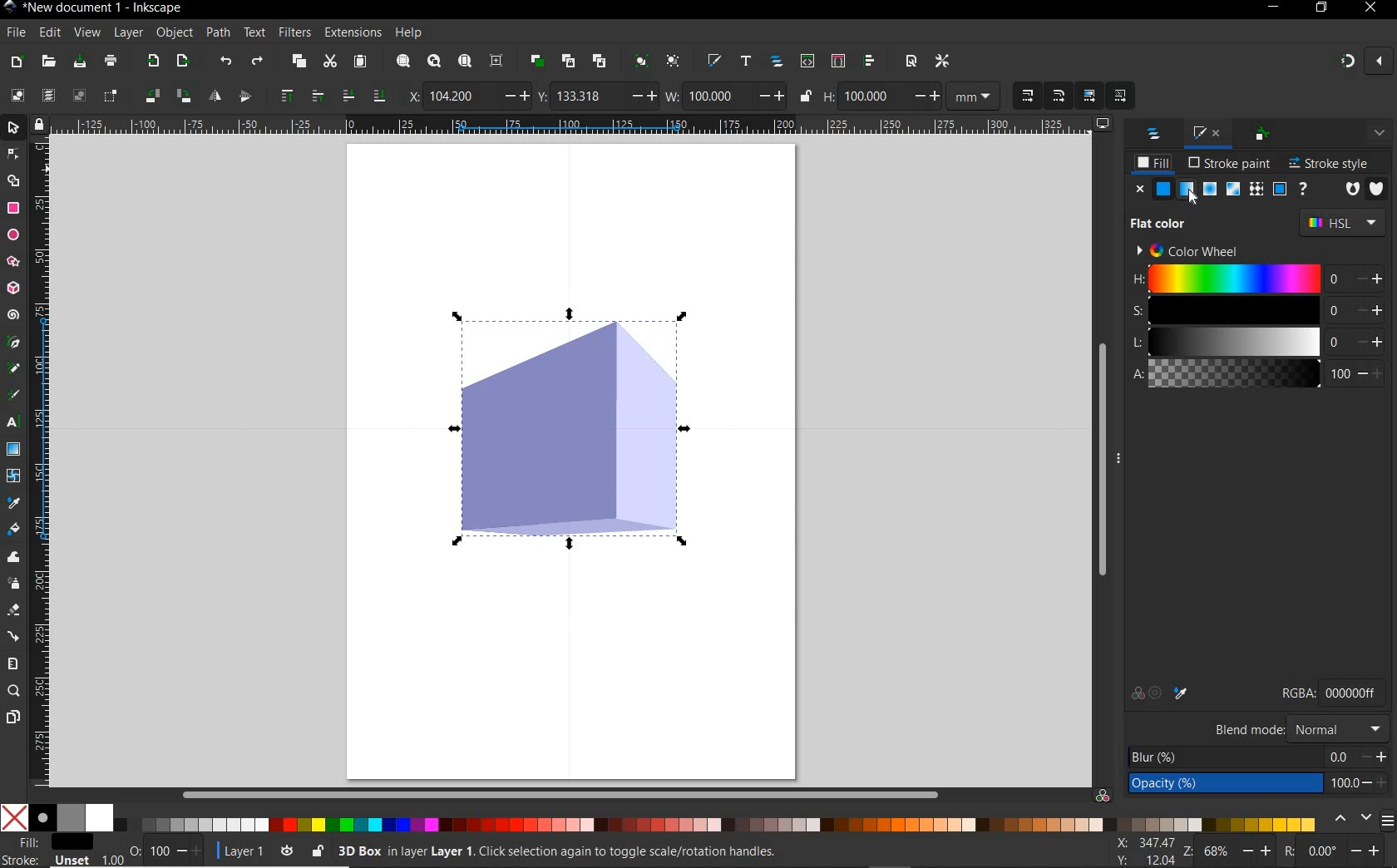  I want to click on COPY, so click(300, 63).